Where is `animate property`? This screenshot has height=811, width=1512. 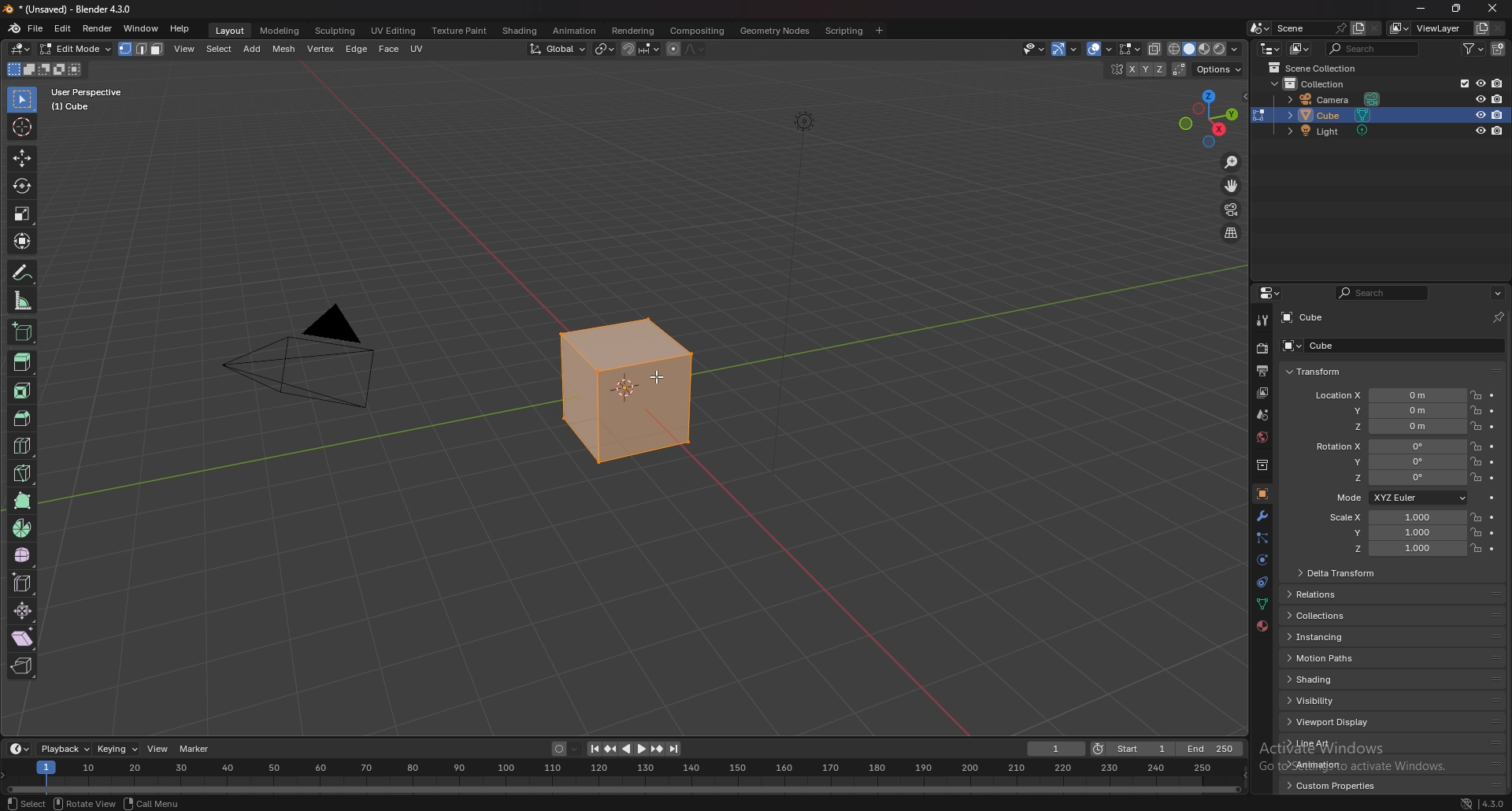 animate property is located at coordinates (1493, 479).